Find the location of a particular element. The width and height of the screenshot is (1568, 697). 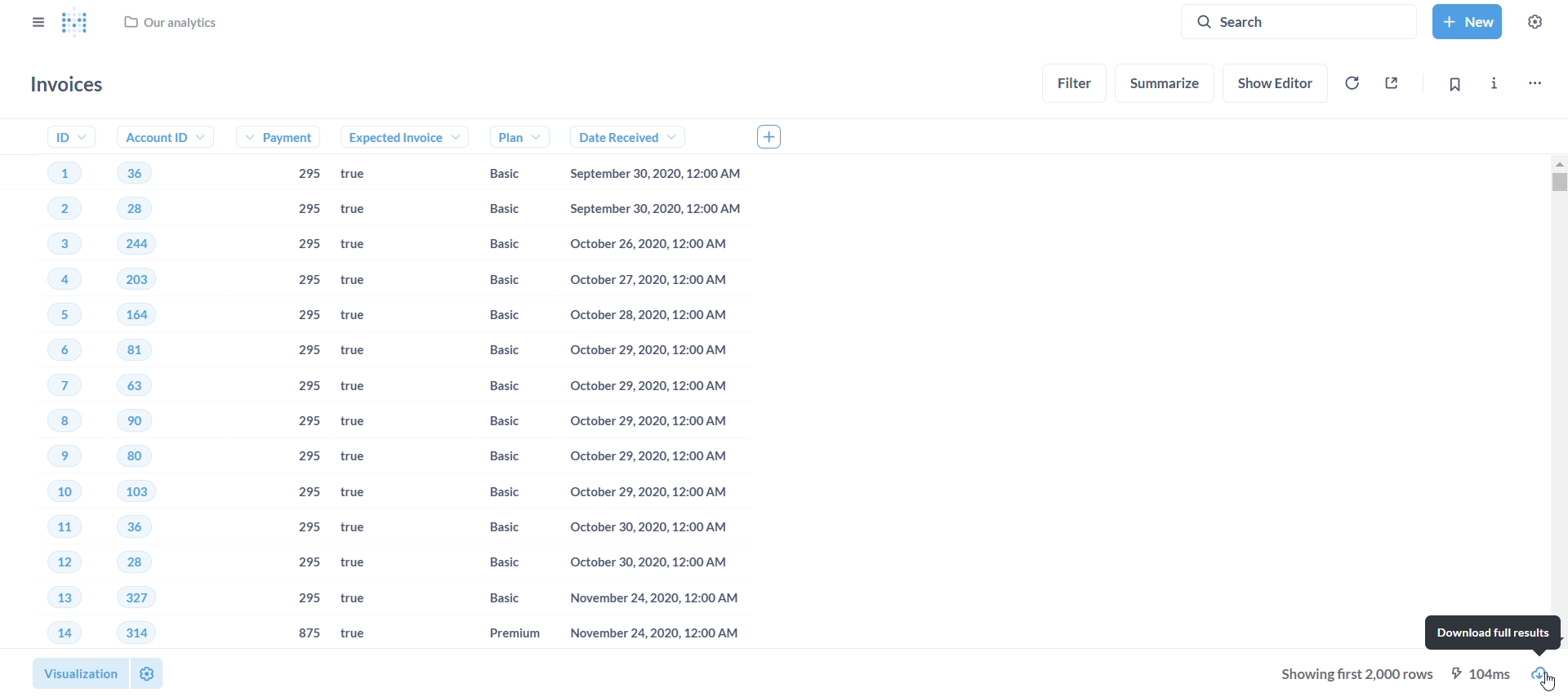

November 24,2020, 12:00 AM is located at coordinates (648, 634).